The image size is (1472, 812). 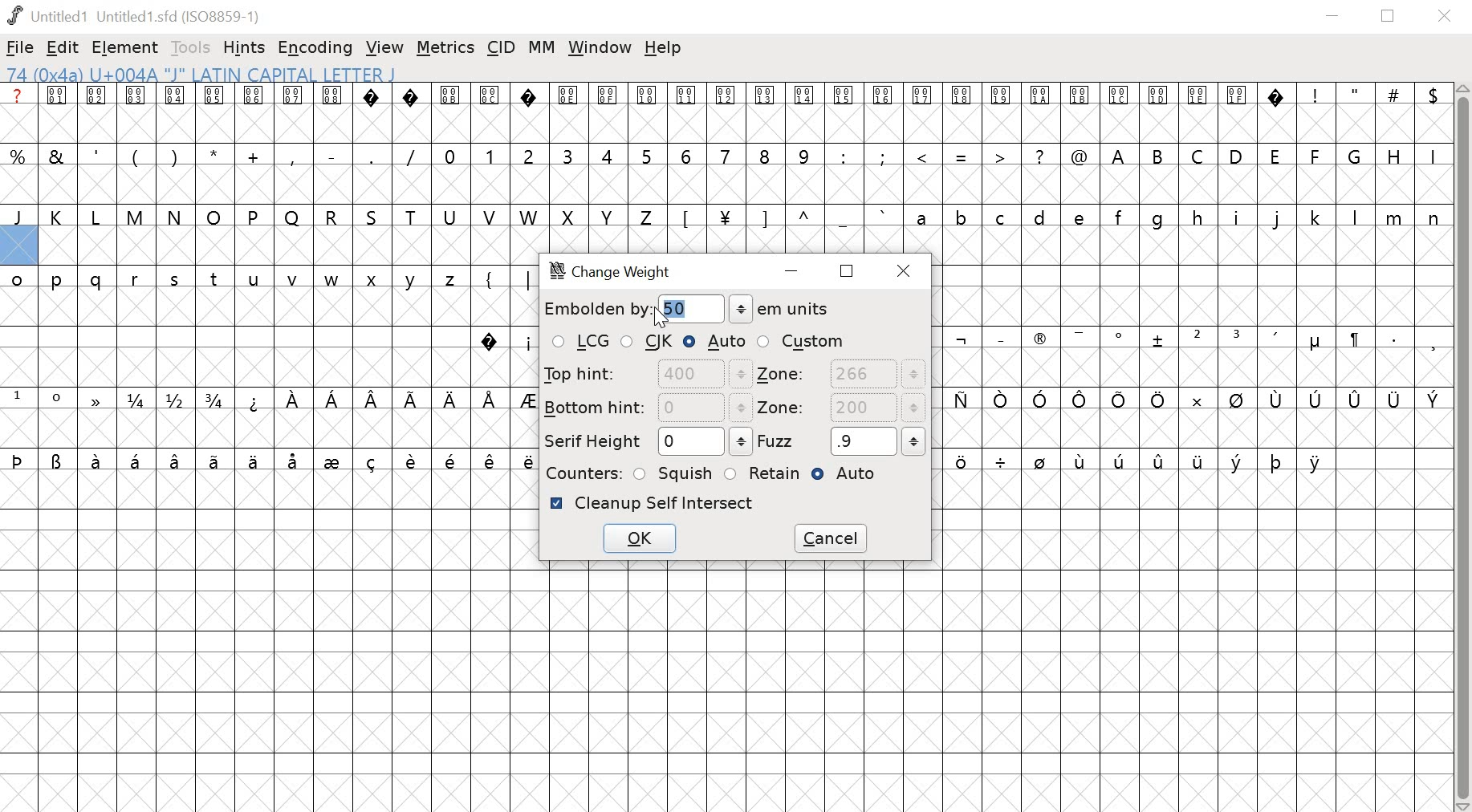 What do you see at coordinates (328, 217) in the screenshot?
I see `uppercase letters` at bounding box center [328, 217].